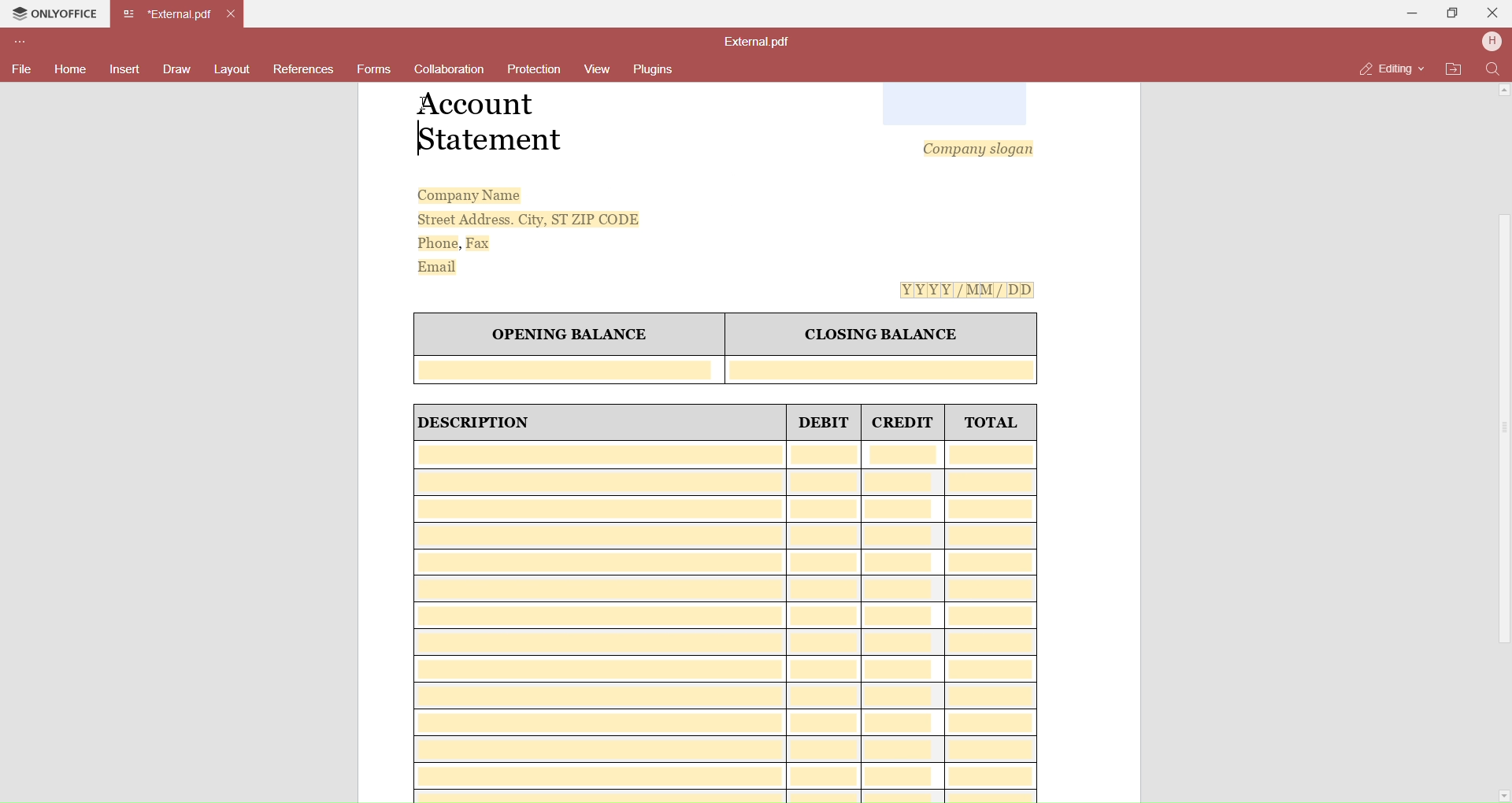 The width and height of the screenshot is (1512, 803). I want to click on Layouts, so click(233, 70).